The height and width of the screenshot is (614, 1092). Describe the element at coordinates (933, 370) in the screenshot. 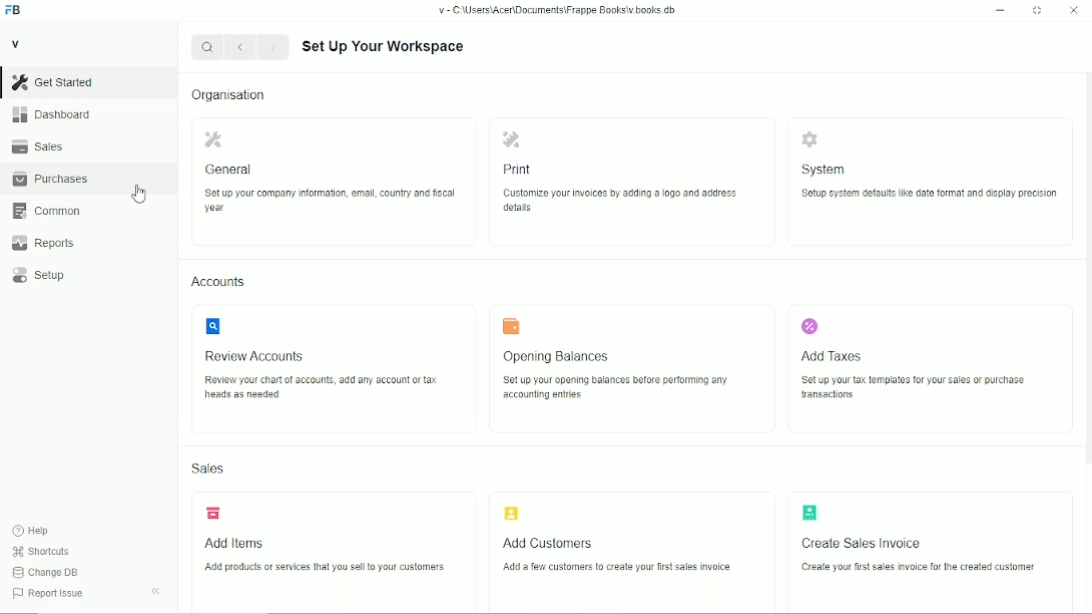

I see `Add Taxes Set up your tax templates for your sales or purchase transactions` at that location.